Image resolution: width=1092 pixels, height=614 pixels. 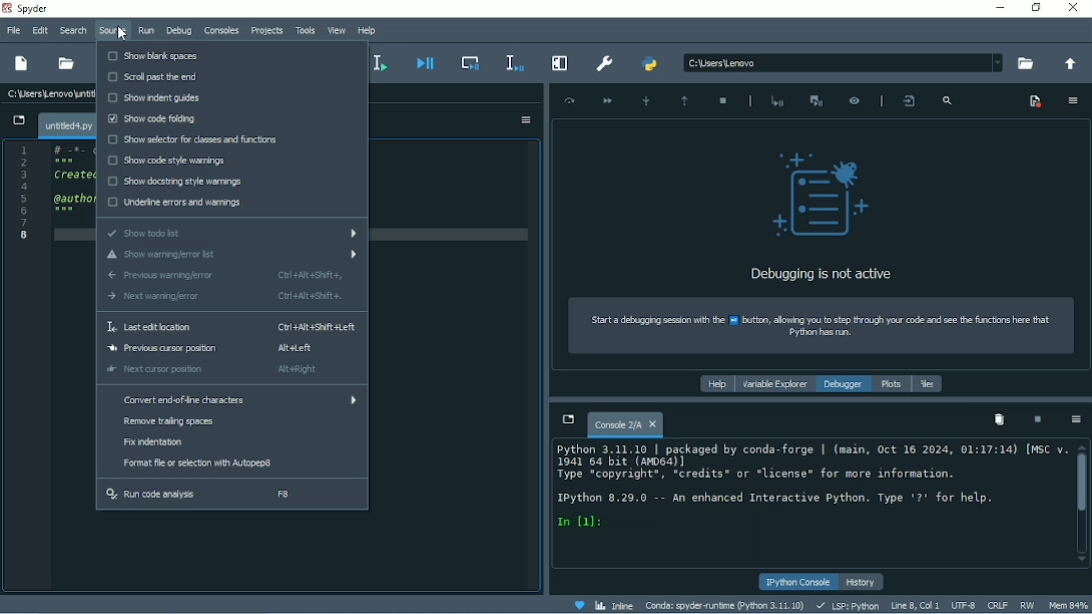 I want to click on Options, so click(x=524, y=120).